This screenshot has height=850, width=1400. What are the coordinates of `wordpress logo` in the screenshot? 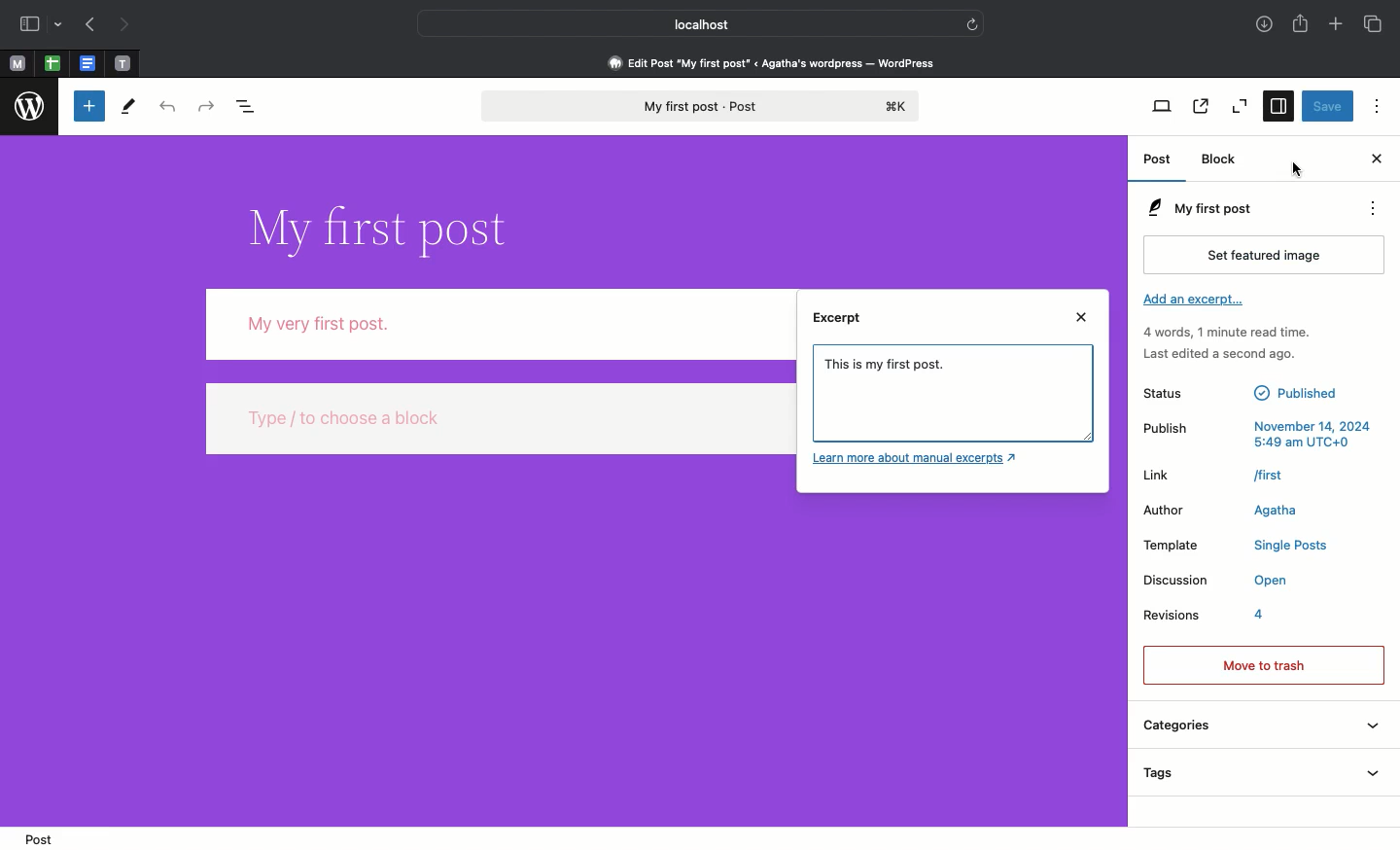 It's located at (31, 107).